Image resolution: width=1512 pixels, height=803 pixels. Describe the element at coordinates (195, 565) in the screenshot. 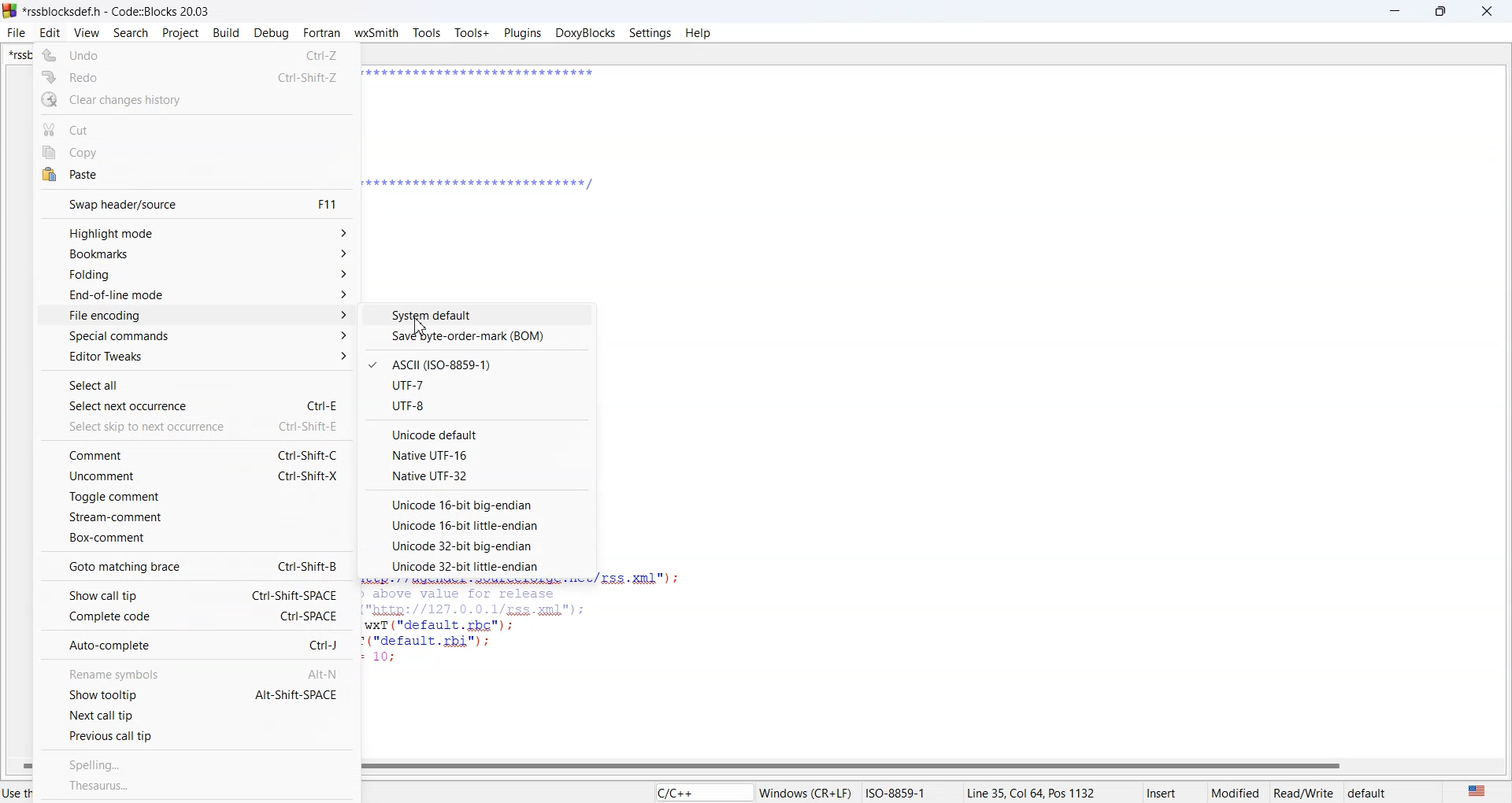

I see `Goto matching brace` at that location.